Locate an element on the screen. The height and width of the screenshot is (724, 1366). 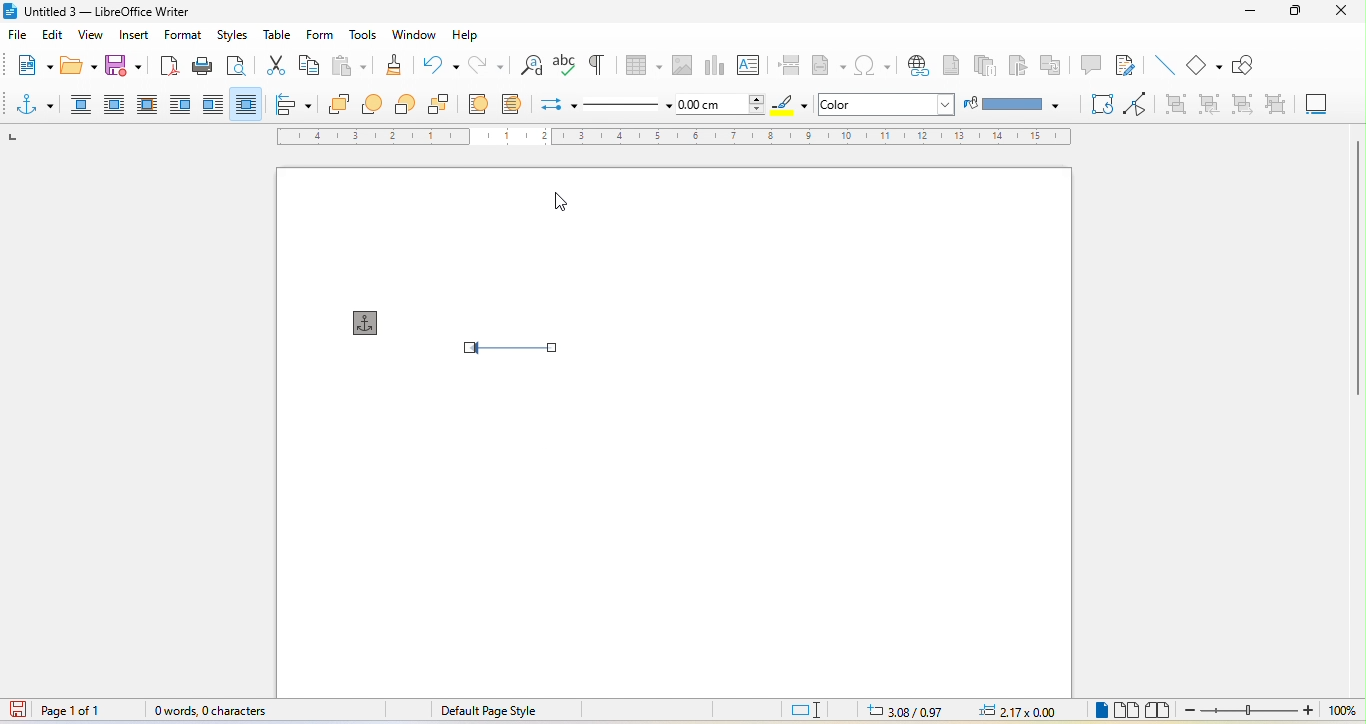
select anchor for object is located at coordinates (37, 103).